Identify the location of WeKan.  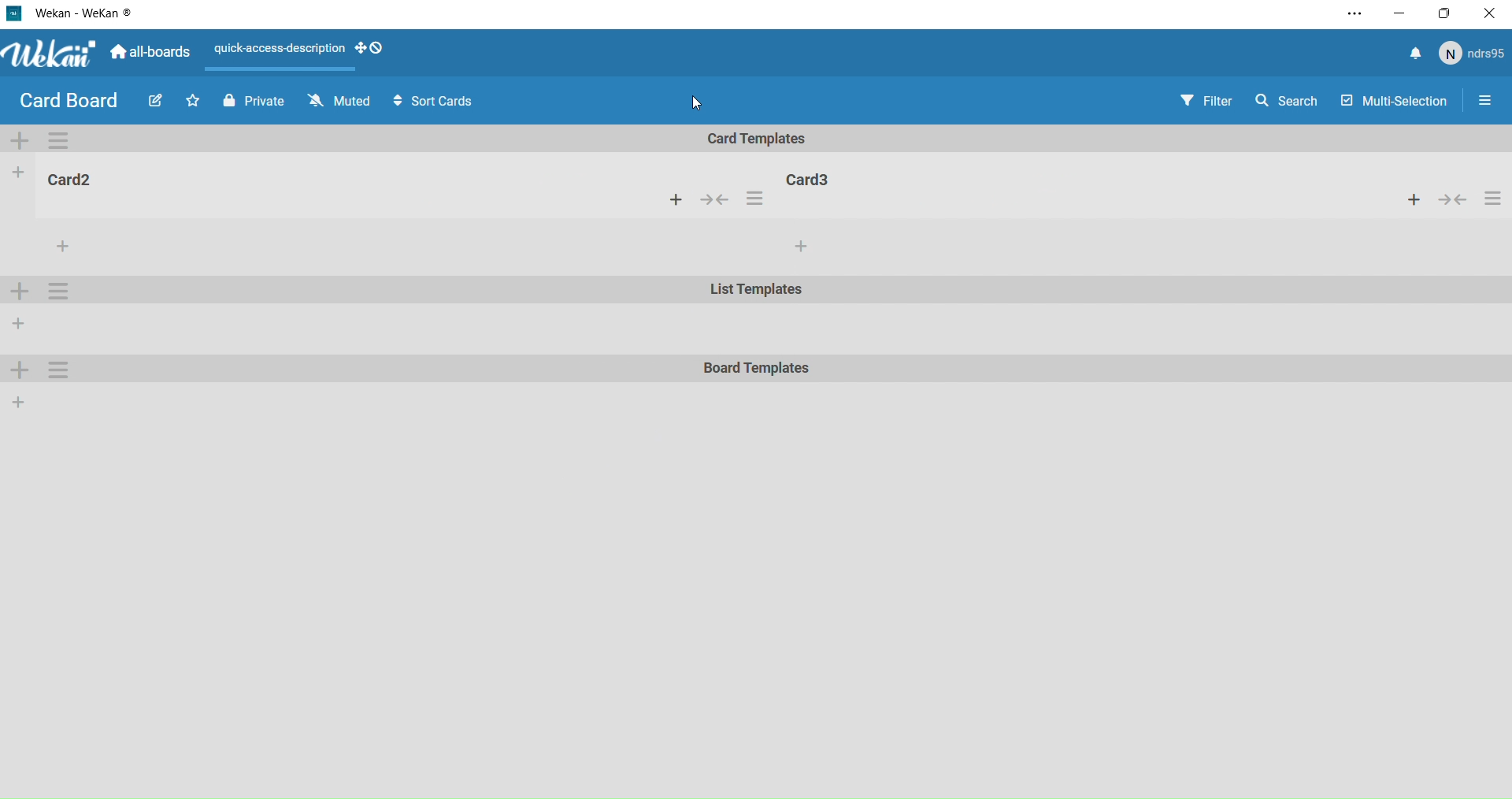
(49, 55).